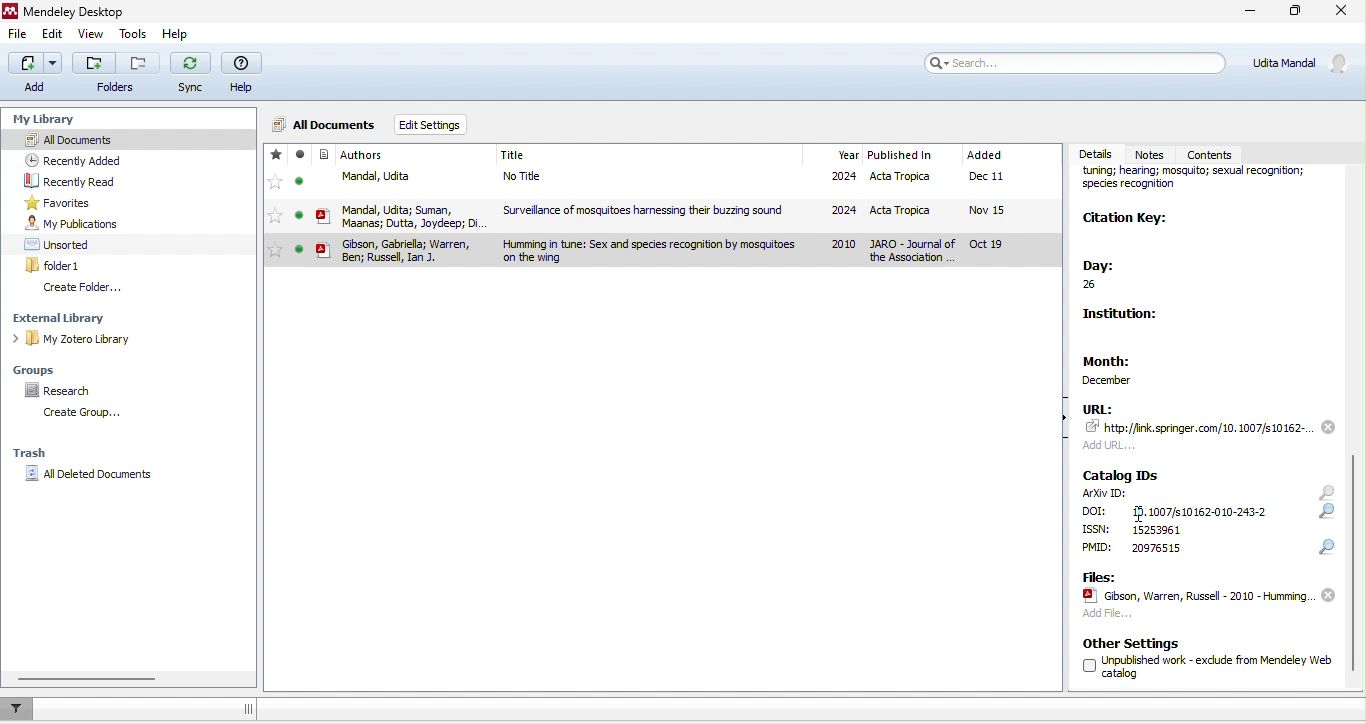 The width and height of the screenshot is (1366, 724). I want to click on text, so click(1218, 665).